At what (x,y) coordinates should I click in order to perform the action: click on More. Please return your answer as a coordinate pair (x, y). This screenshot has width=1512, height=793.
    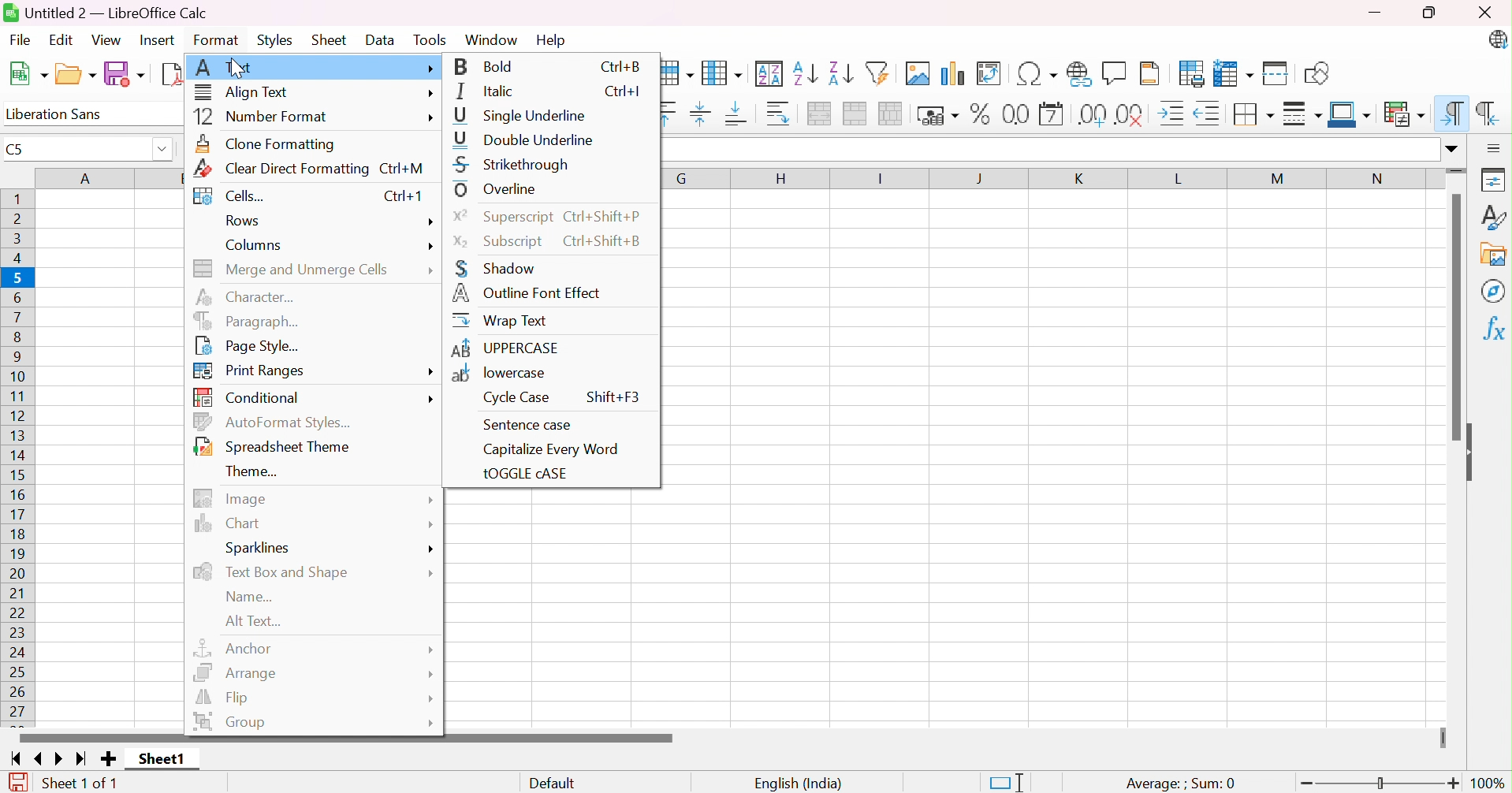
    Looking at the image, I should click on (430, 68).